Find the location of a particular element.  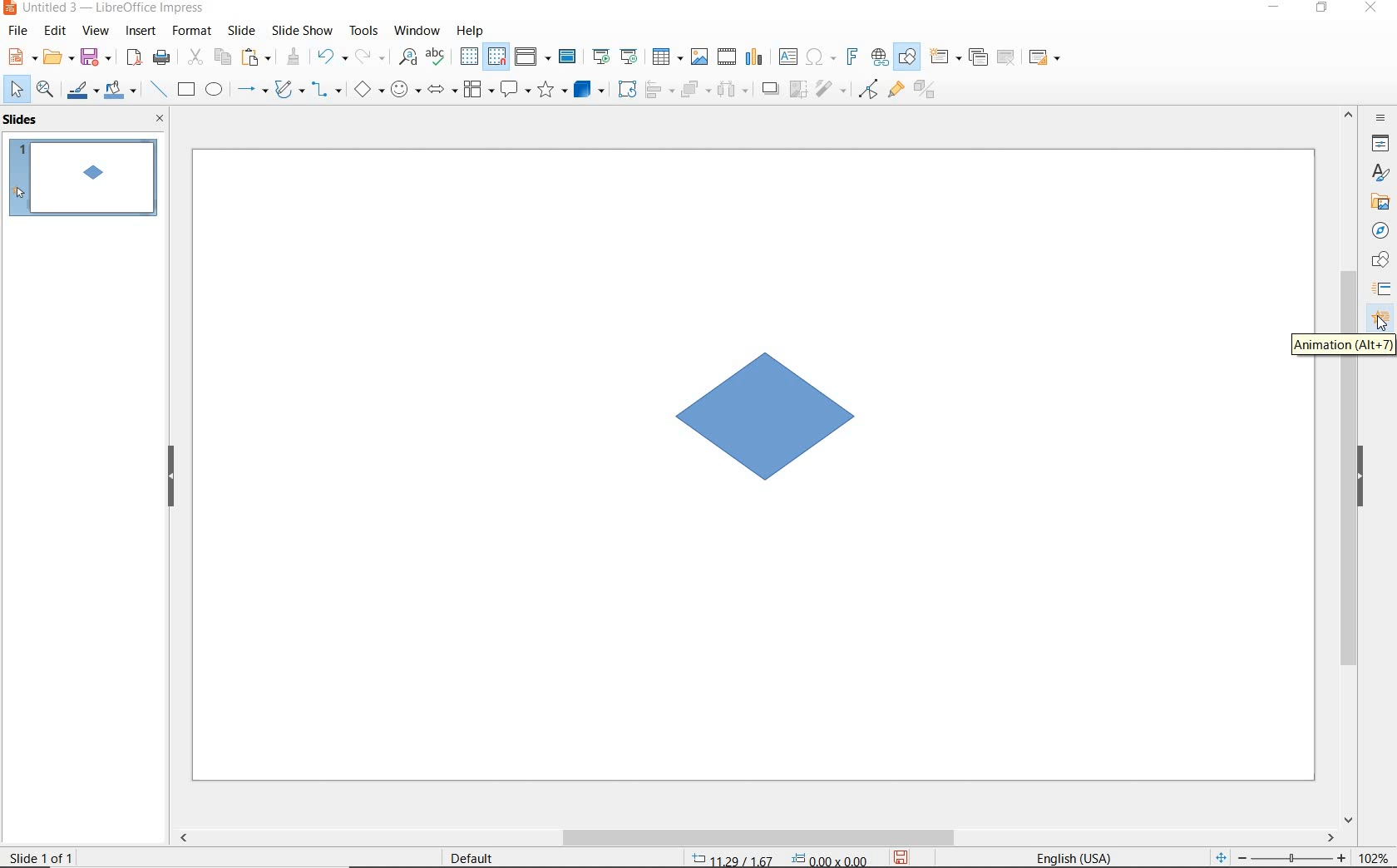

show gluepoint functions is located at coordinates (896, 91).